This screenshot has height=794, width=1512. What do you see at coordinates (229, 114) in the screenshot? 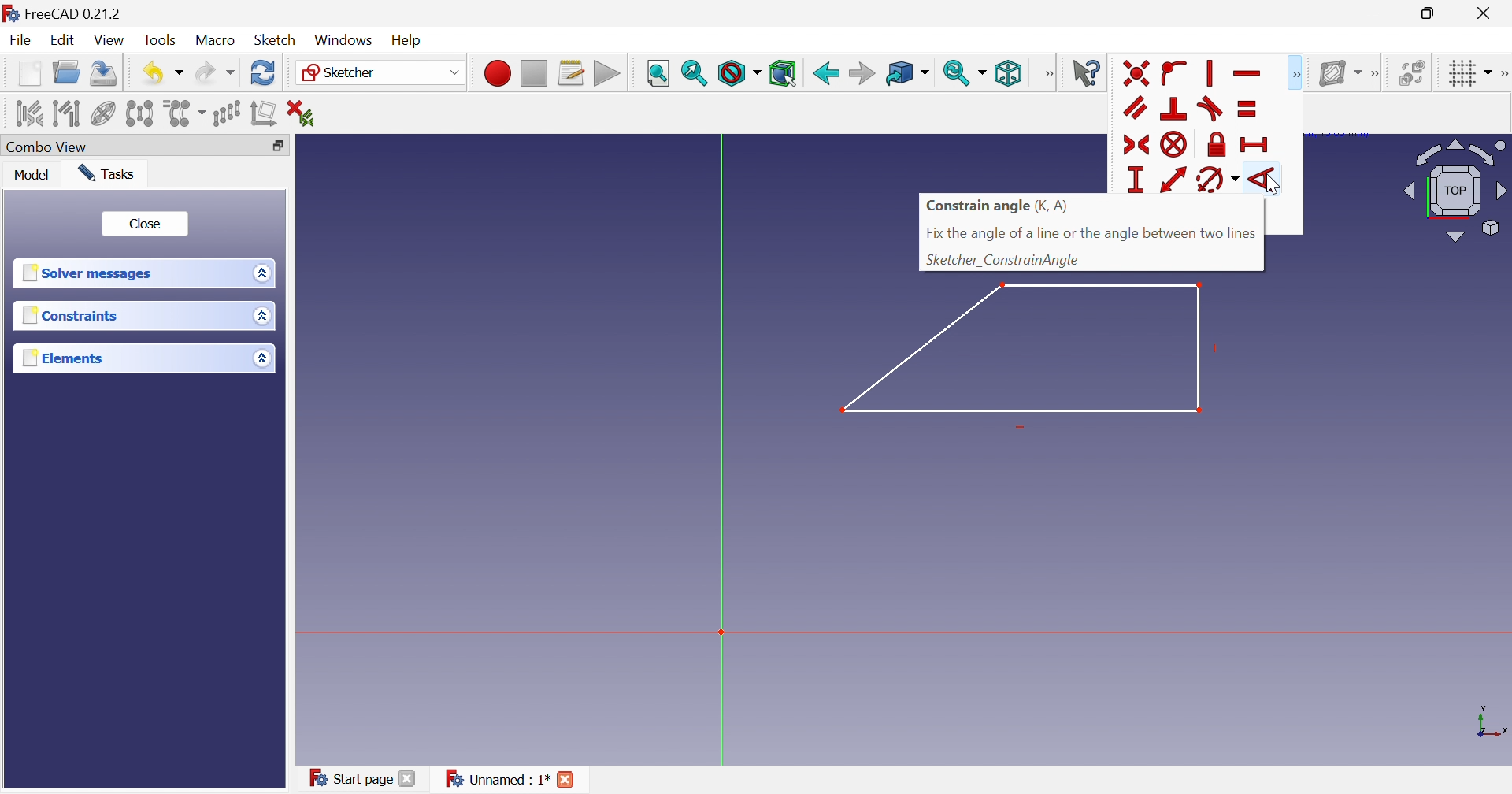
I see `Rectangular array` at bounding box center [229, 114].